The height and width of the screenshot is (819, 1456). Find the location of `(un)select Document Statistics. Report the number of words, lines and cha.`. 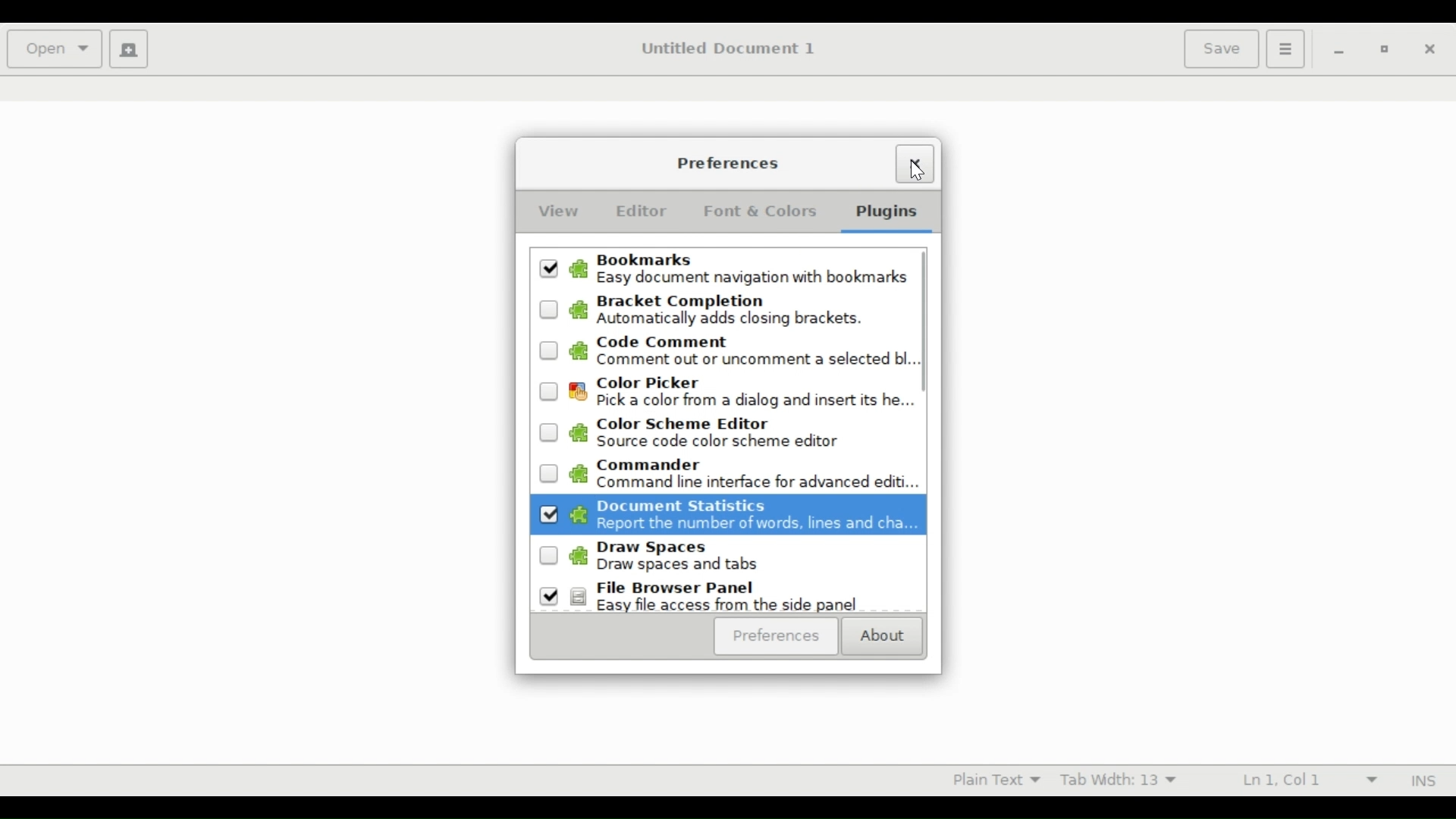

(un)select Document Statistics. Report the number of words, lines and cha. is located at coordinates (741, 519).